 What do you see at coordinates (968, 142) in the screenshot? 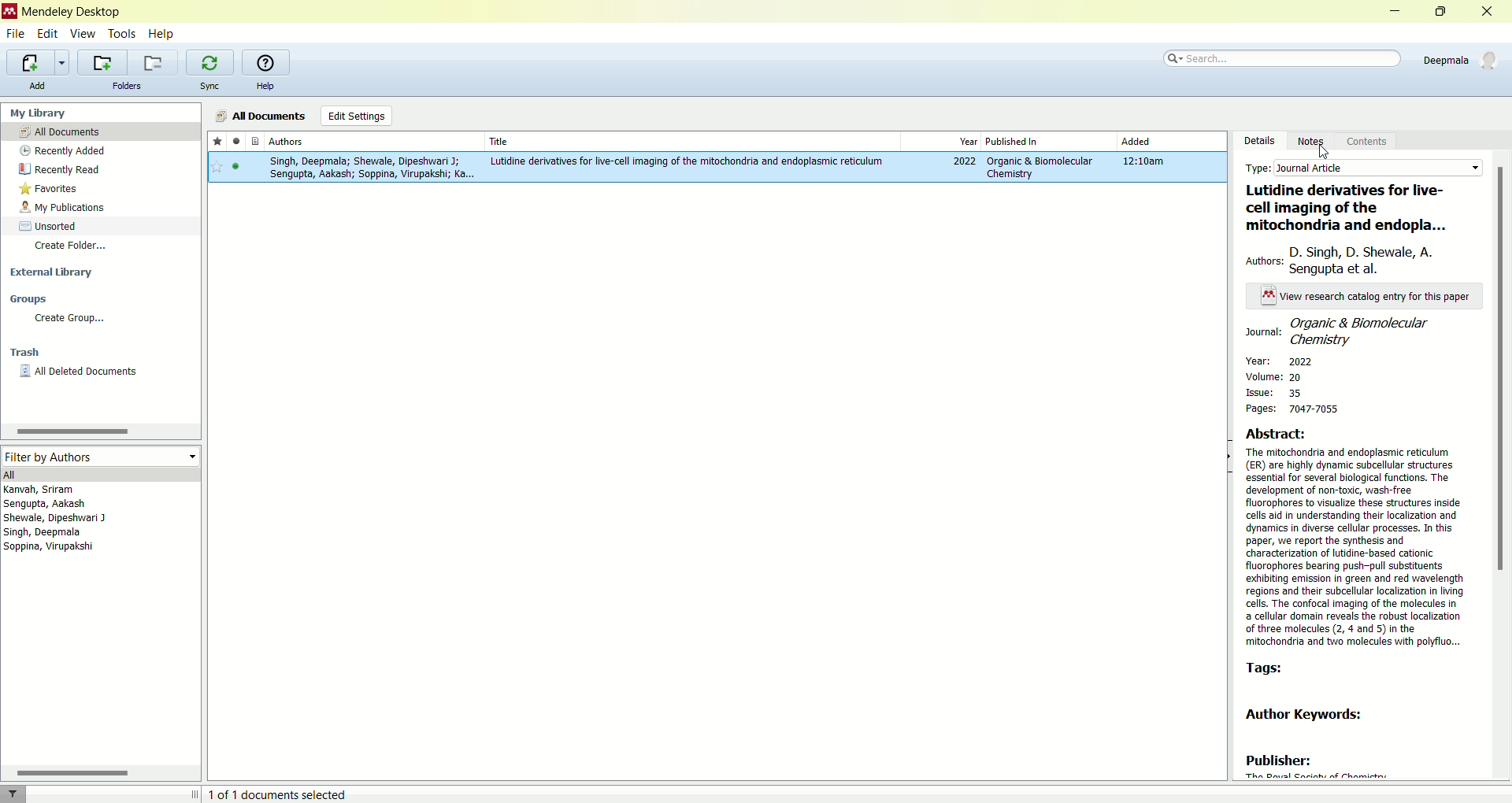
I see `year` at bounding box center [968, 142].